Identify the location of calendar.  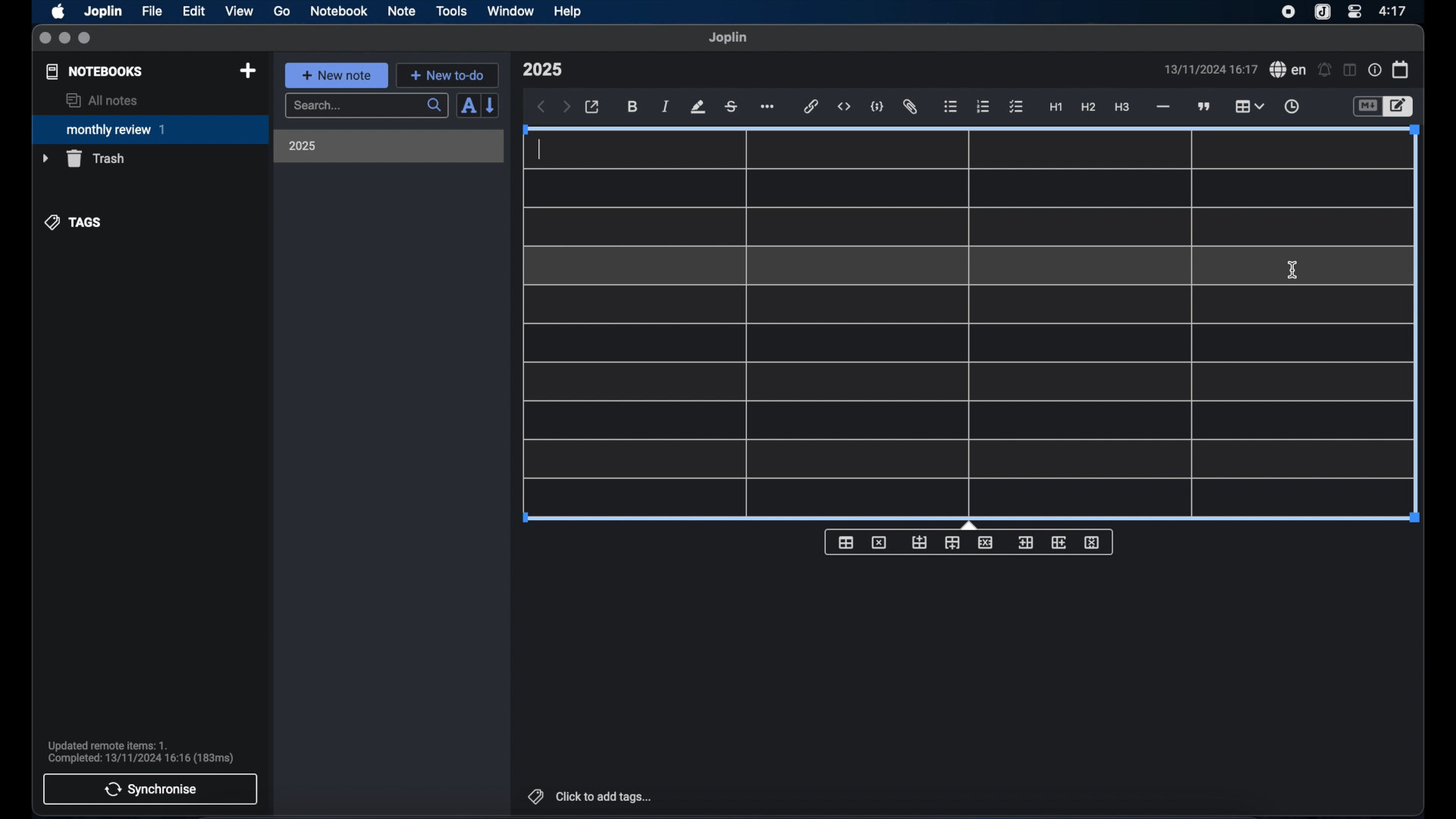
(1401, 69).